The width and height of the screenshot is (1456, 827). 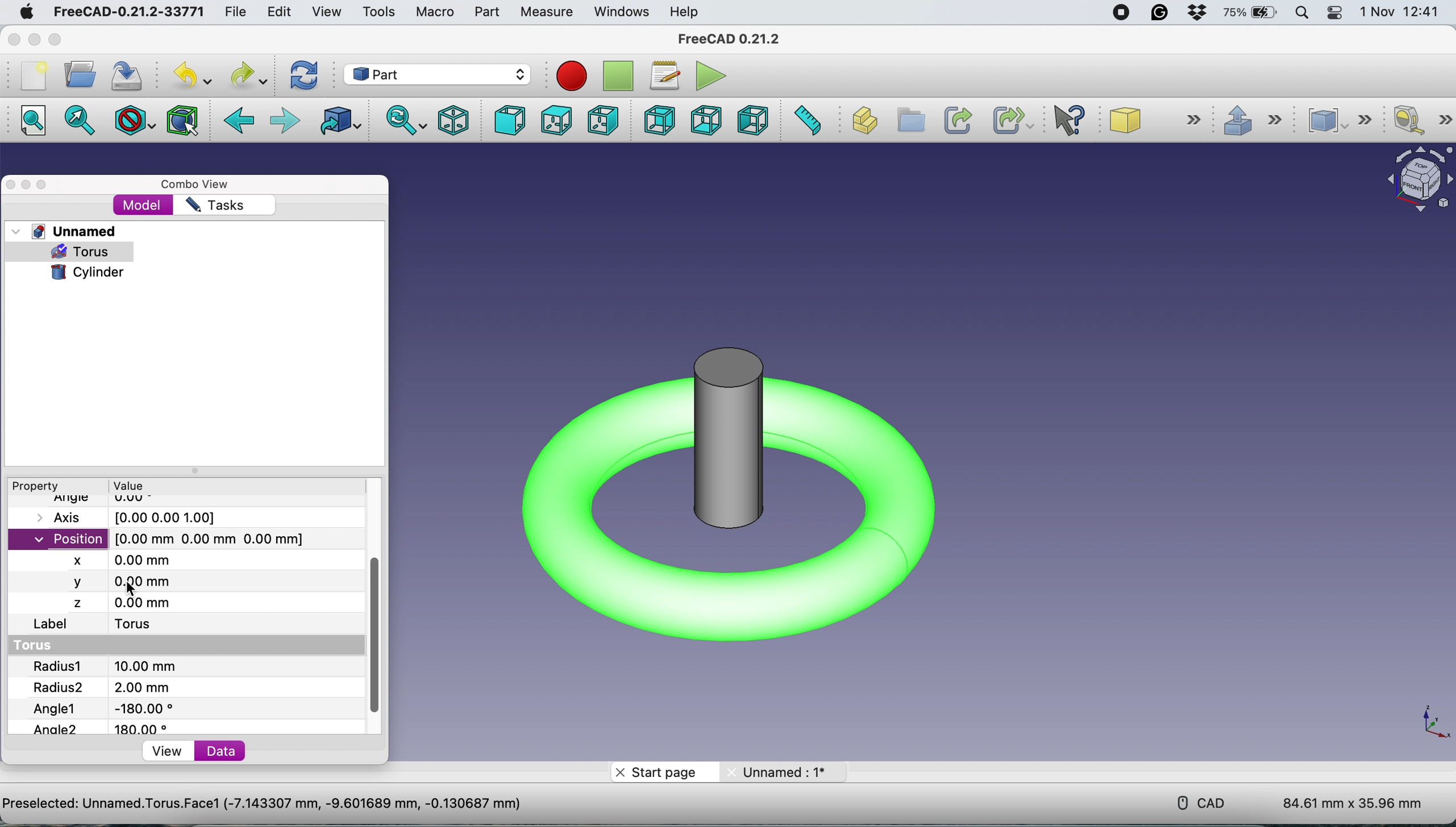 I want to click on vertical scroll bar, so click(x=375, y=638).